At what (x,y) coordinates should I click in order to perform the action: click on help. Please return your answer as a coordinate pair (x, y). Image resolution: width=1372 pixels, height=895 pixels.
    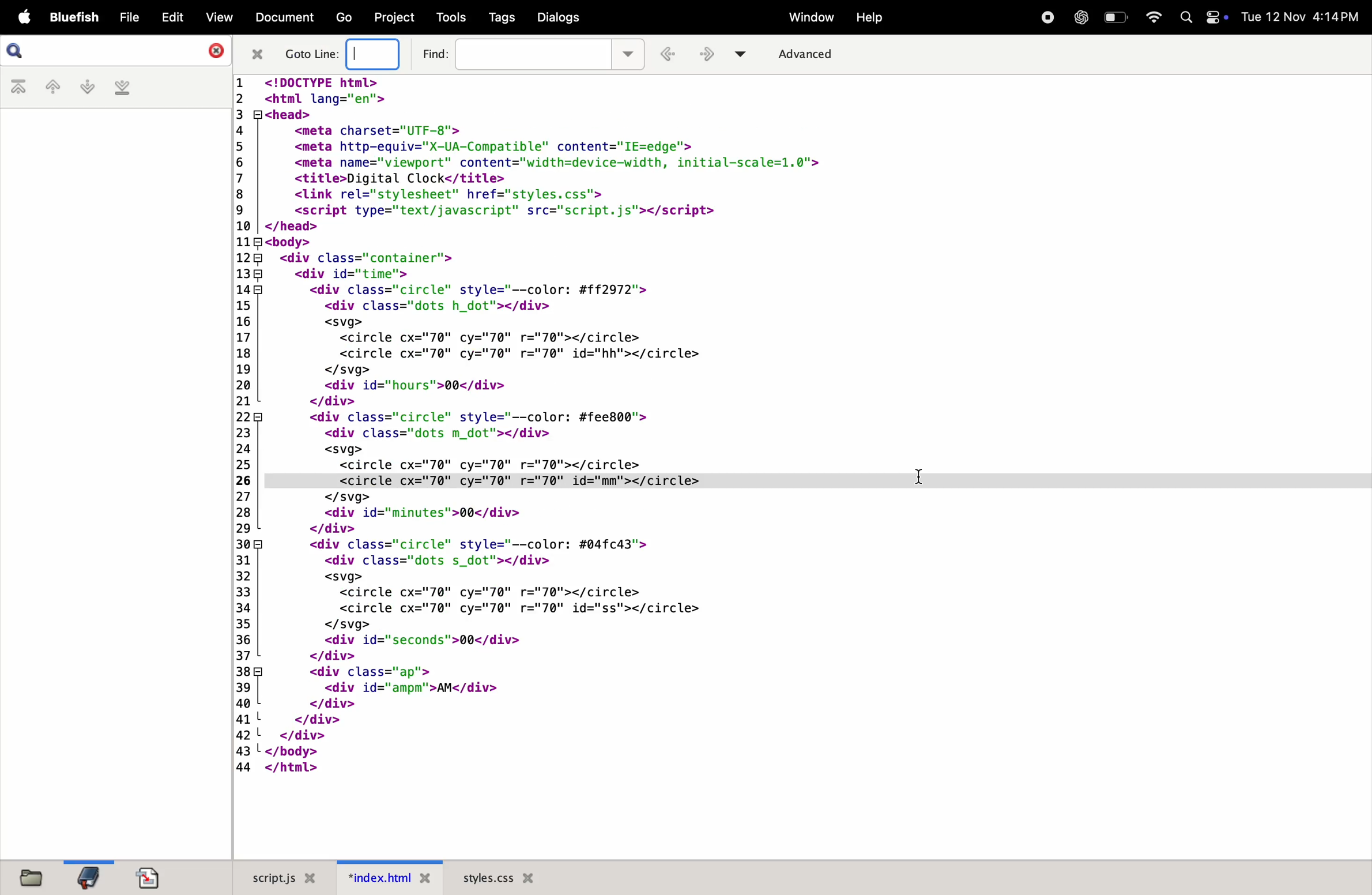
    Looking at the image, I should click on (868, 19).